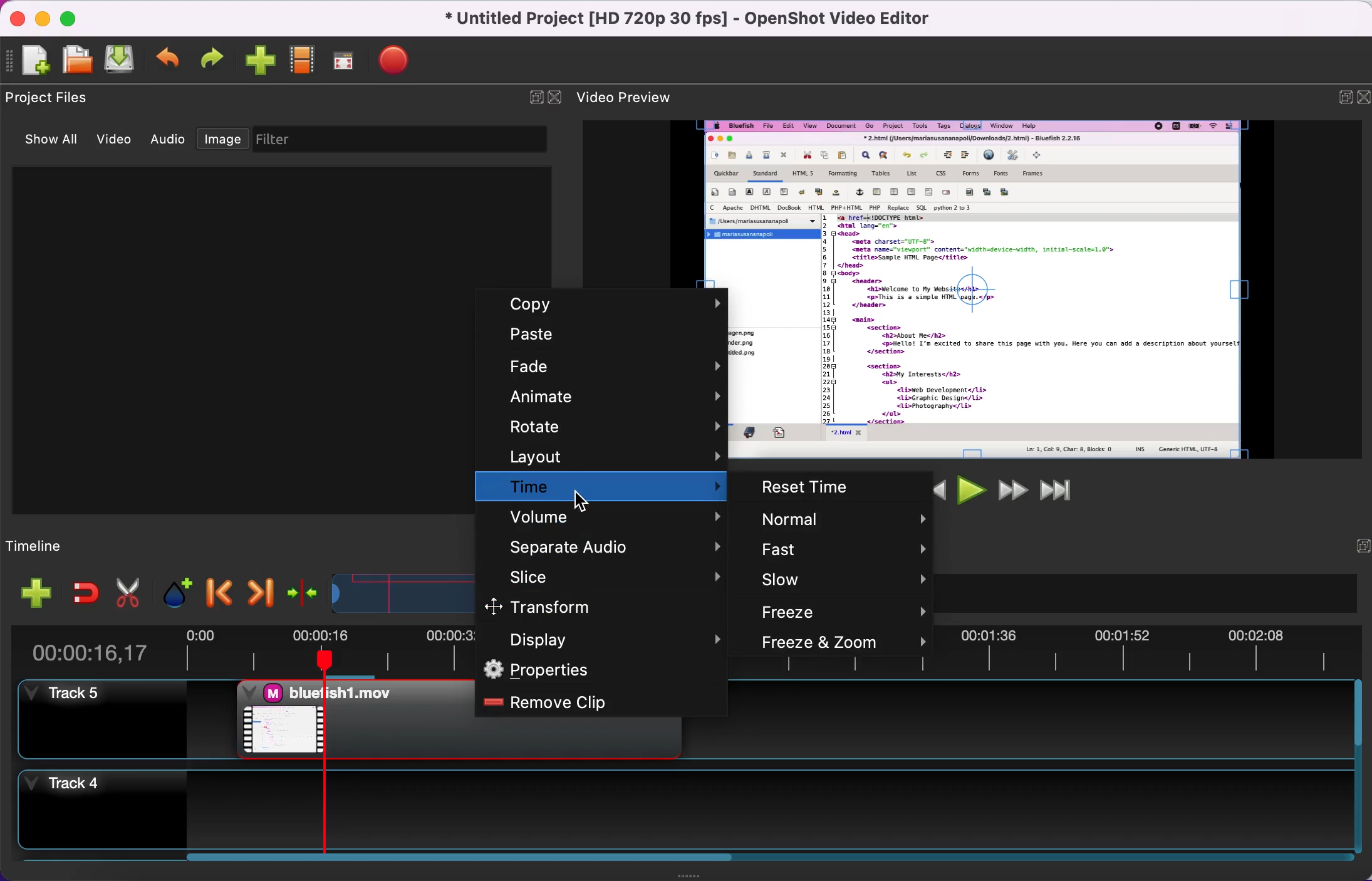 The width and height of the screenshot is (1372, 881). What do you see at coordinates (605, 543) in the screenshot?
I see `separate audio` at bounding box center [605, 543].